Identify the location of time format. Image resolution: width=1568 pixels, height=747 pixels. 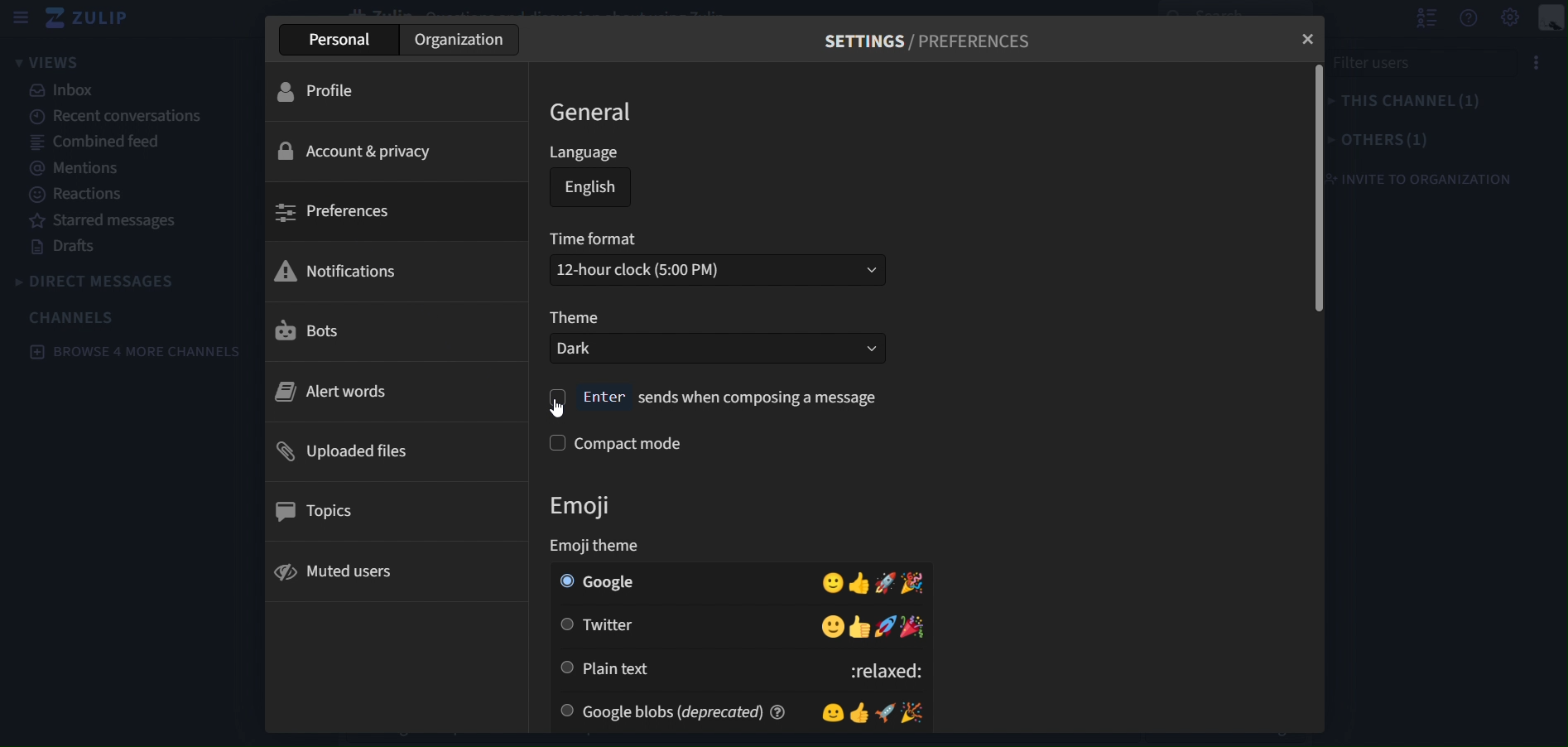
(596, 238).